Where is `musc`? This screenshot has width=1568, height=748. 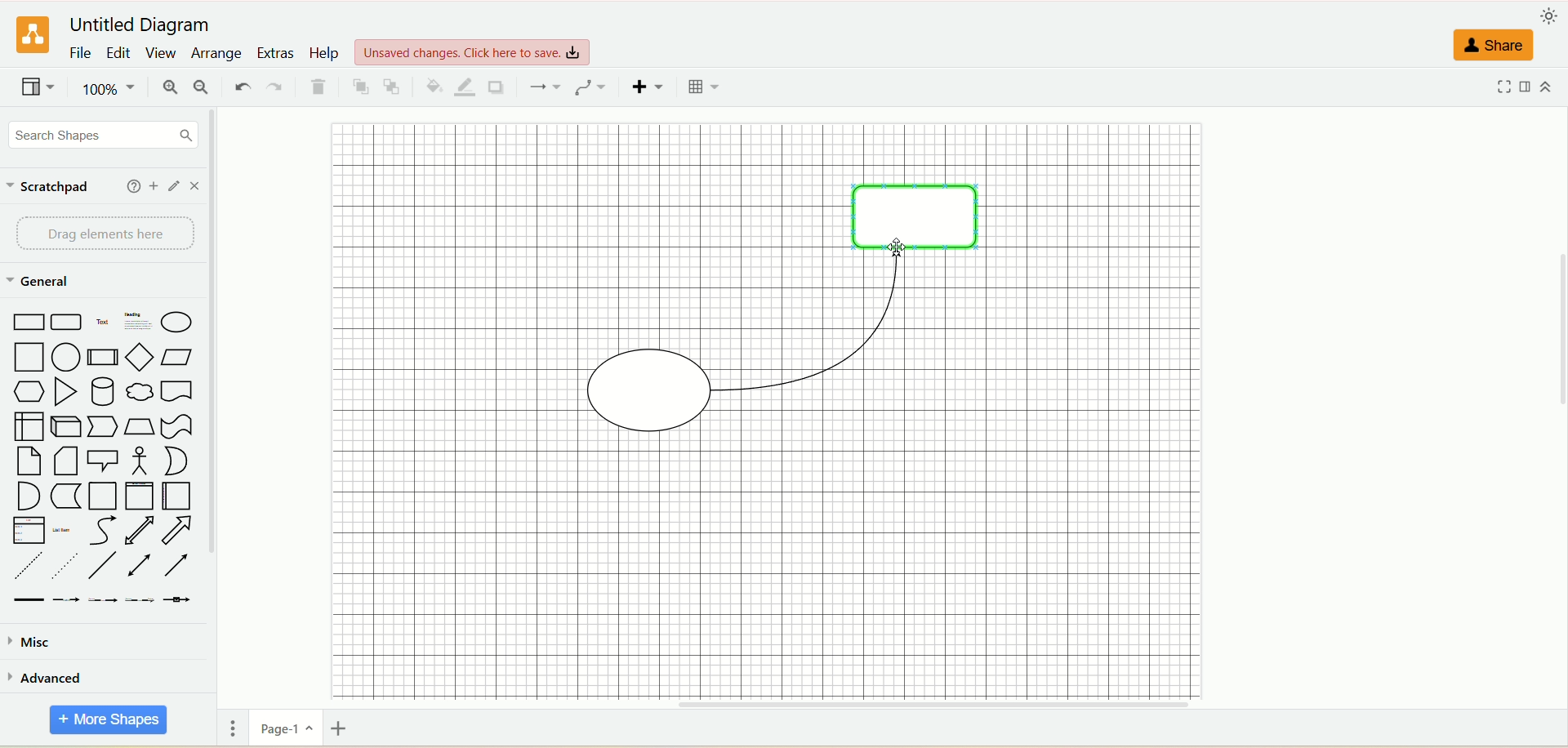 musc is located at coordinates (28, 641).